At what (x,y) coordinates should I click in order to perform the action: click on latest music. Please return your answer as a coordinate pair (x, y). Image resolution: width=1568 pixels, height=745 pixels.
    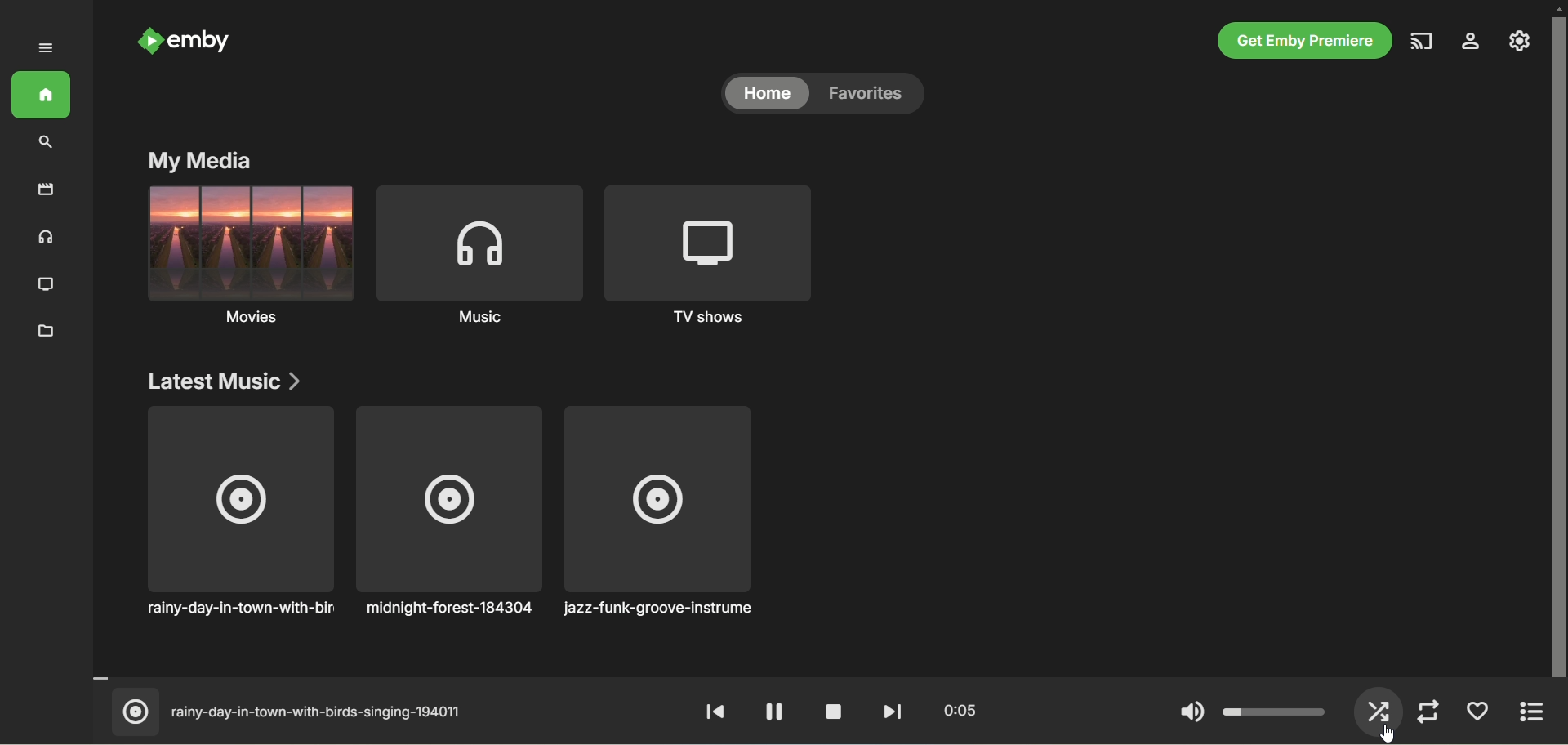
    Looking at the image, I should click on (223, 381).